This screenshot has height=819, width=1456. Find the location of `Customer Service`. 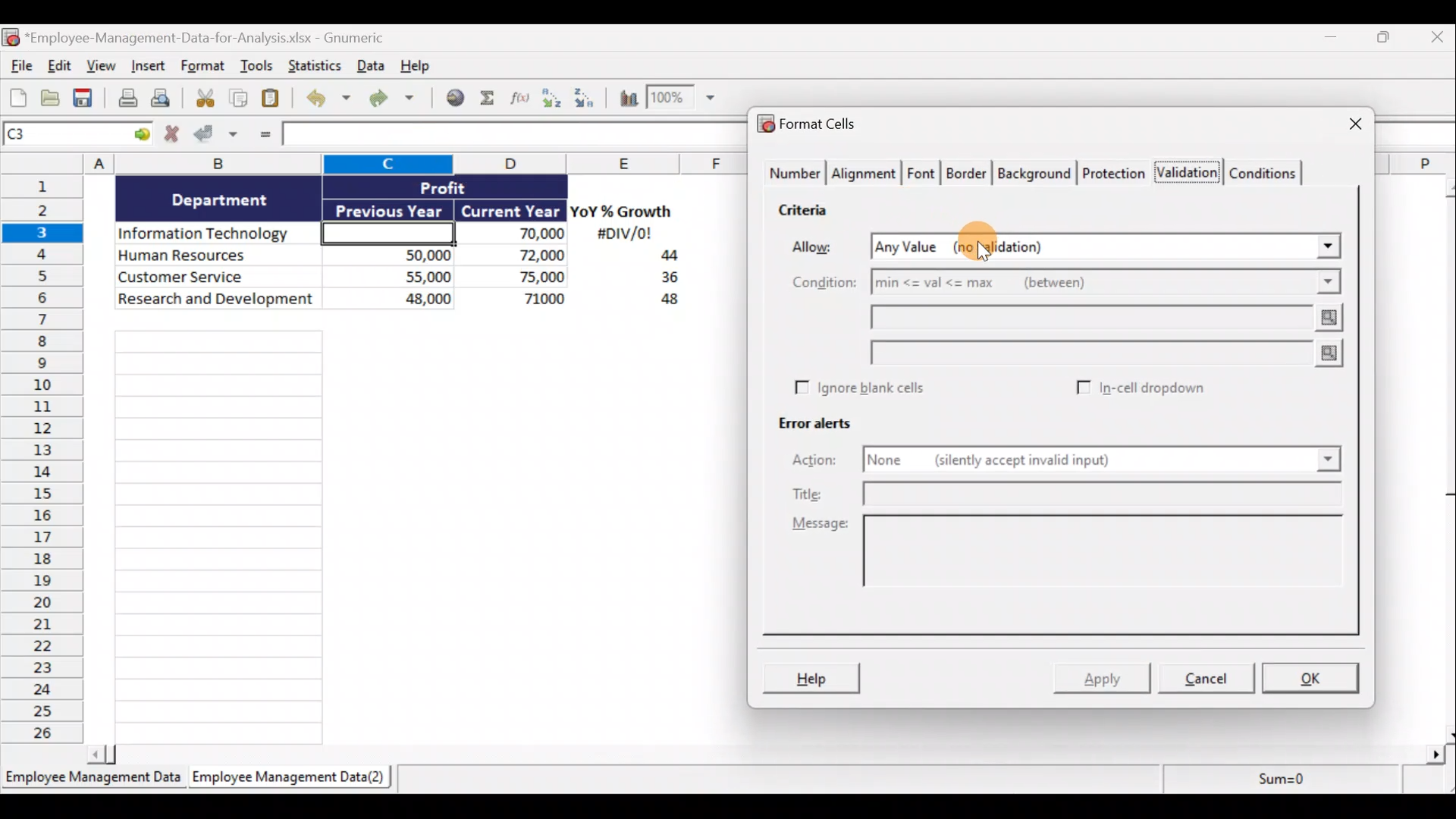

Customer Service is located at coordinates (218, 275).